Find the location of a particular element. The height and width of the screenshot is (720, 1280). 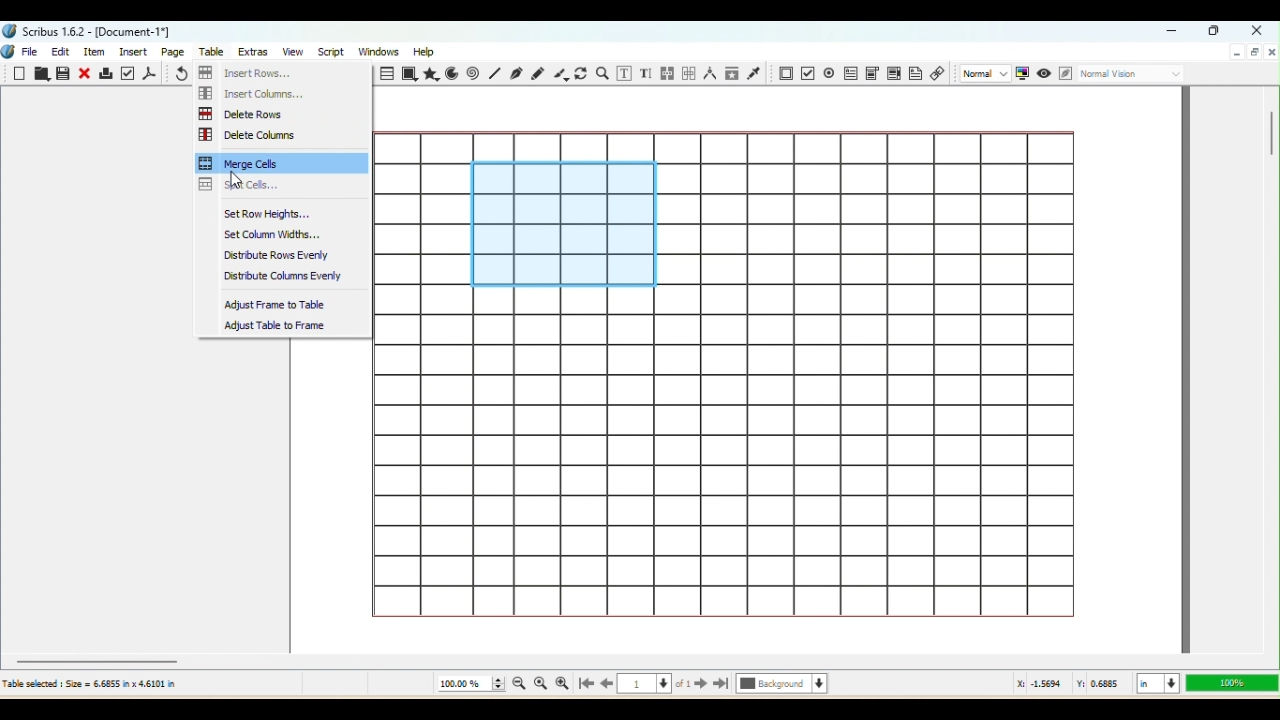

Go to the next page is located at coordinates (701, 685).